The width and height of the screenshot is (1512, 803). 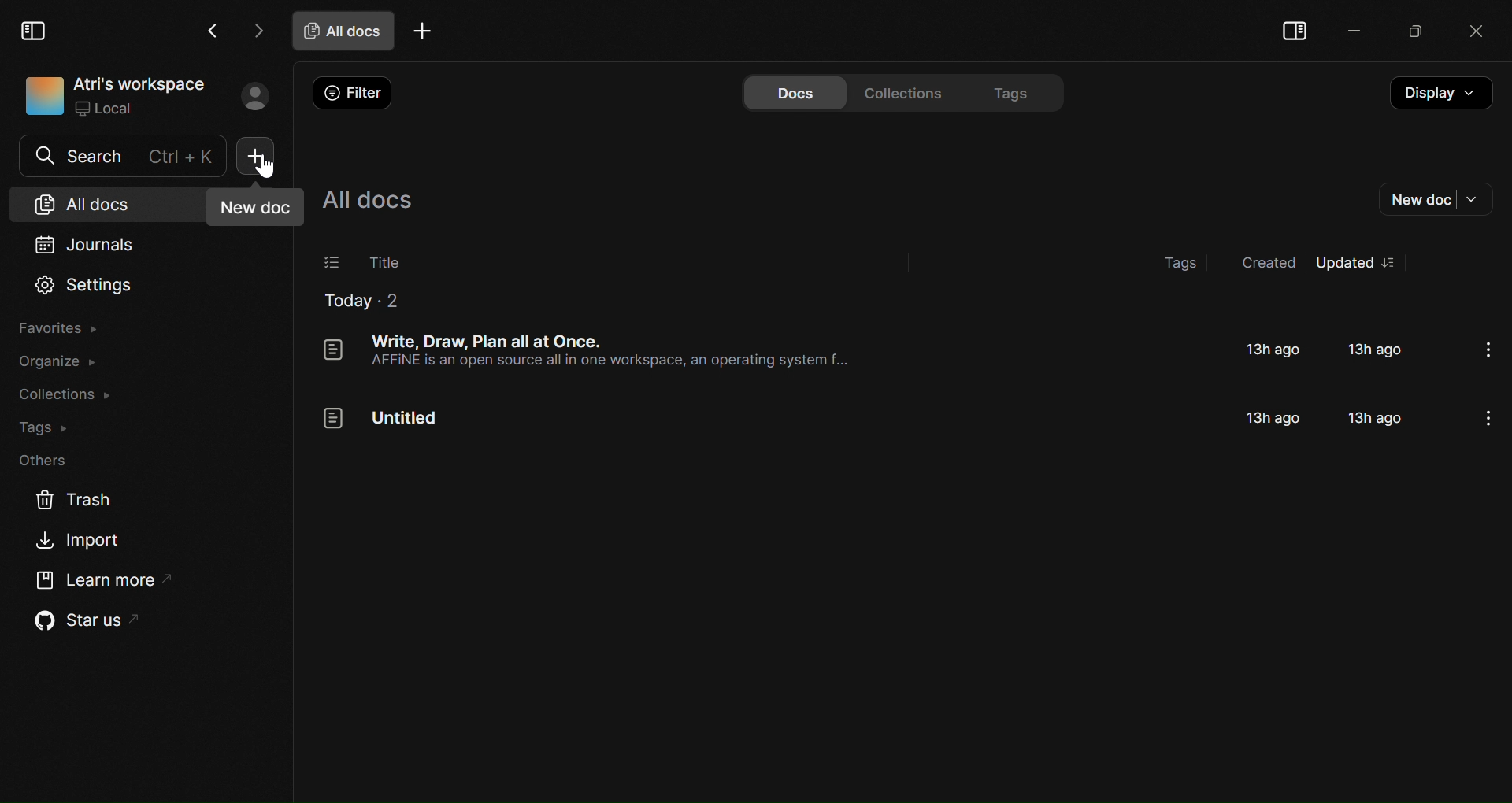 What do you see at coordinates (422, 33) in the screenshot?
I see `Add tab` at bounding box center [422, 33].